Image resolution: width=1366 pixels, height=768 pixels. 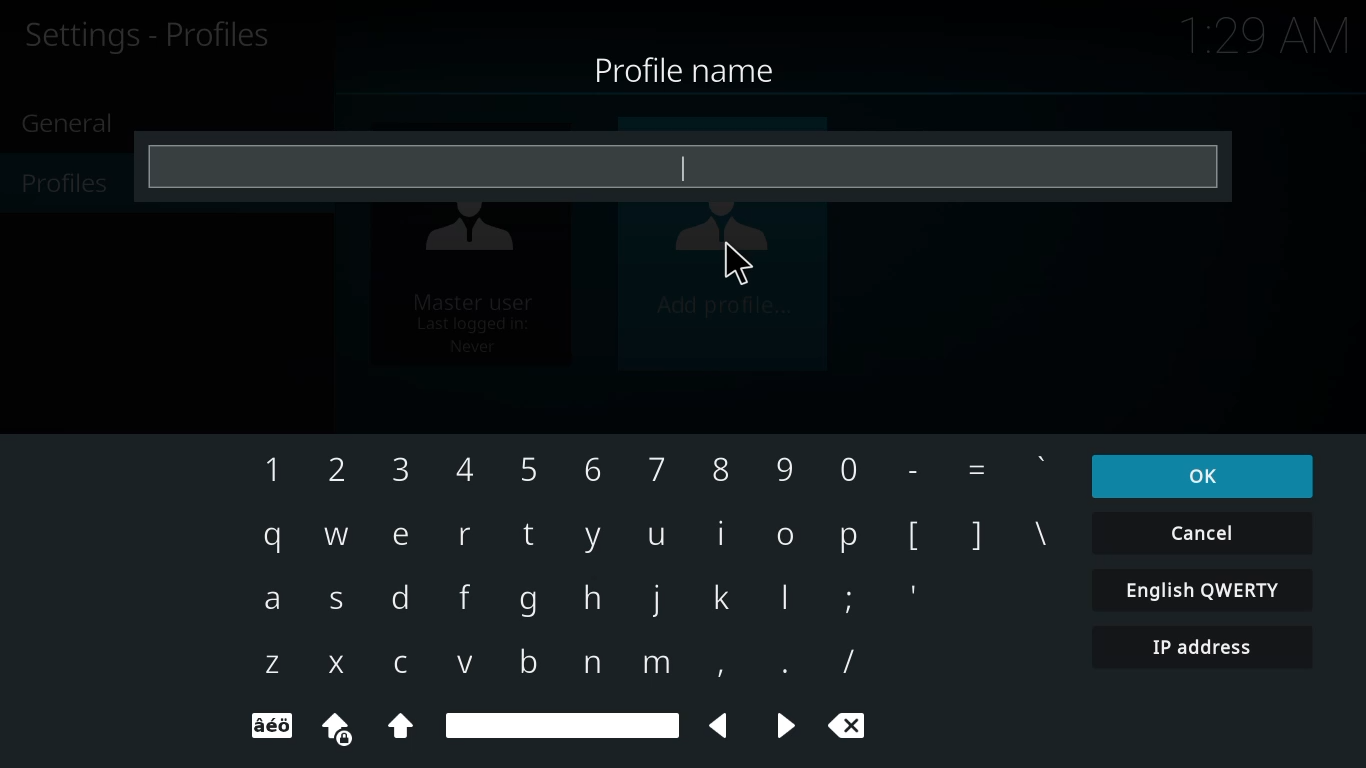 What do you see at coordinates (917, 538) in the screenshot?
I see `[` at bounding box center [917, 538].